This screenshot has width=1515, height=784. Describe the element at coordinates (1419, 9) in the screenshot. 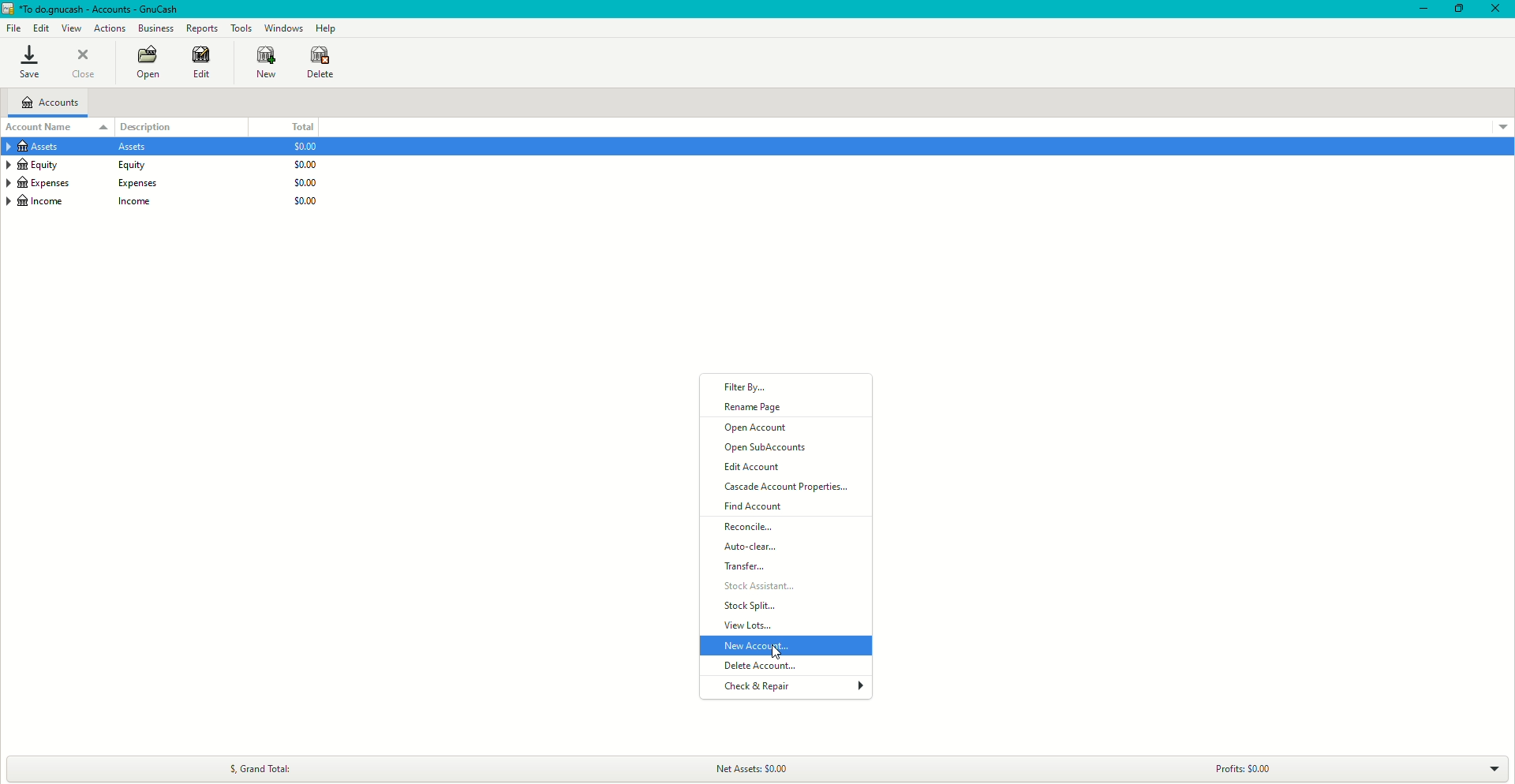

I see `Minimize` at that location.